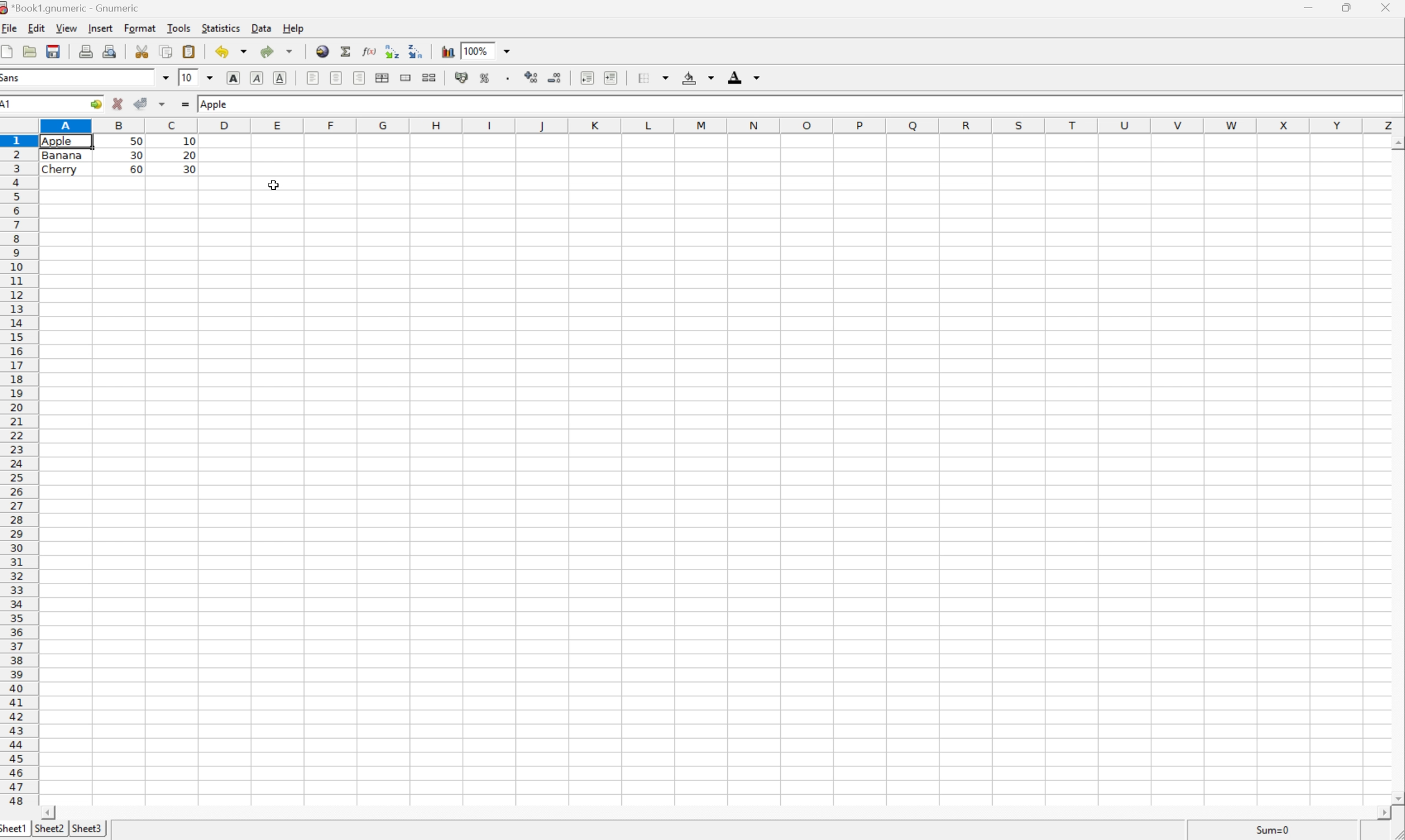  What do you see at coordinates (509, 50) in the screenshot?
I see `Drop down` at bounding box center [509, 50].